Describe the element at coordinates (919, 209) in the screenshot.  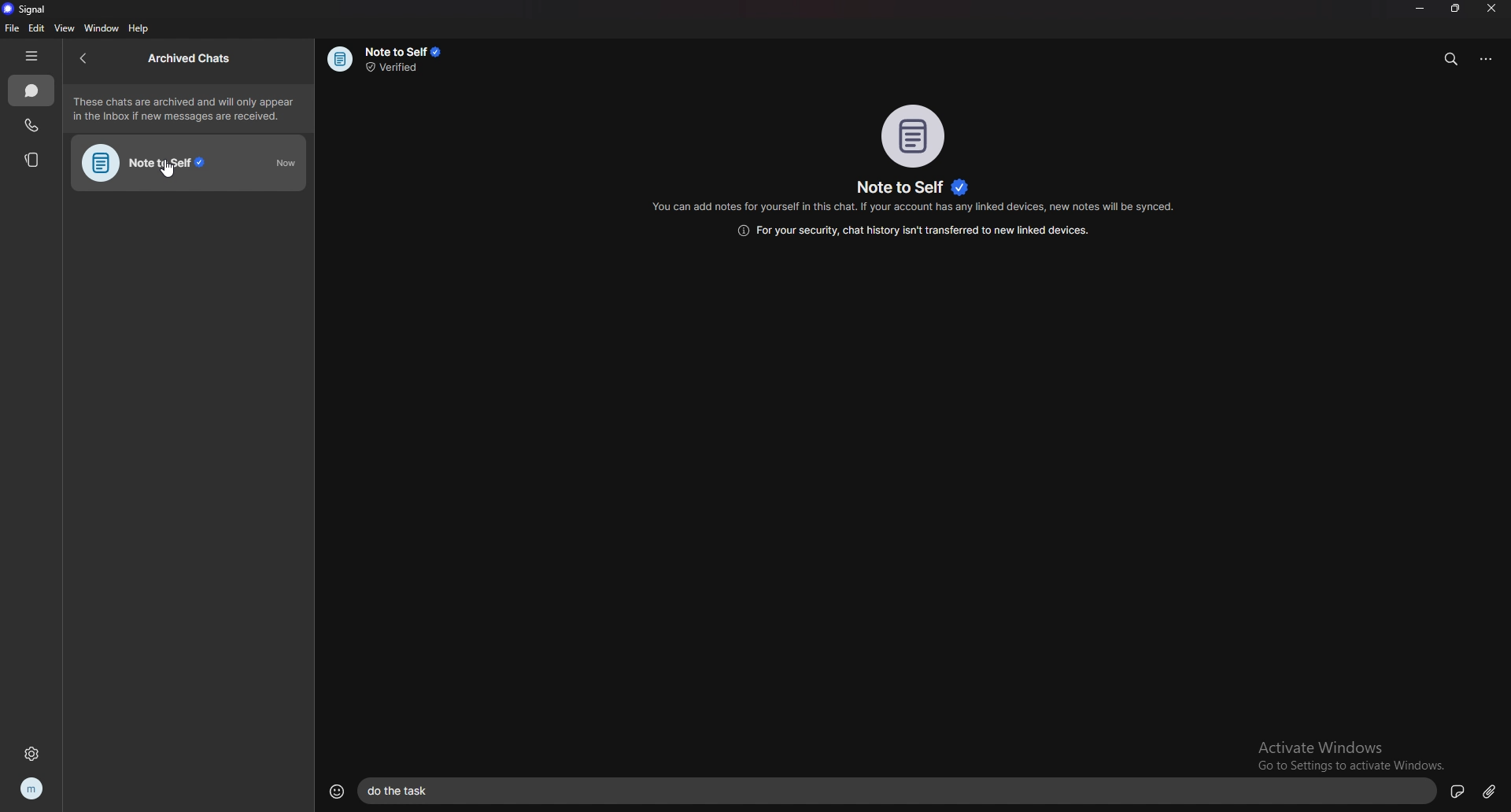
I see `info` at that location.